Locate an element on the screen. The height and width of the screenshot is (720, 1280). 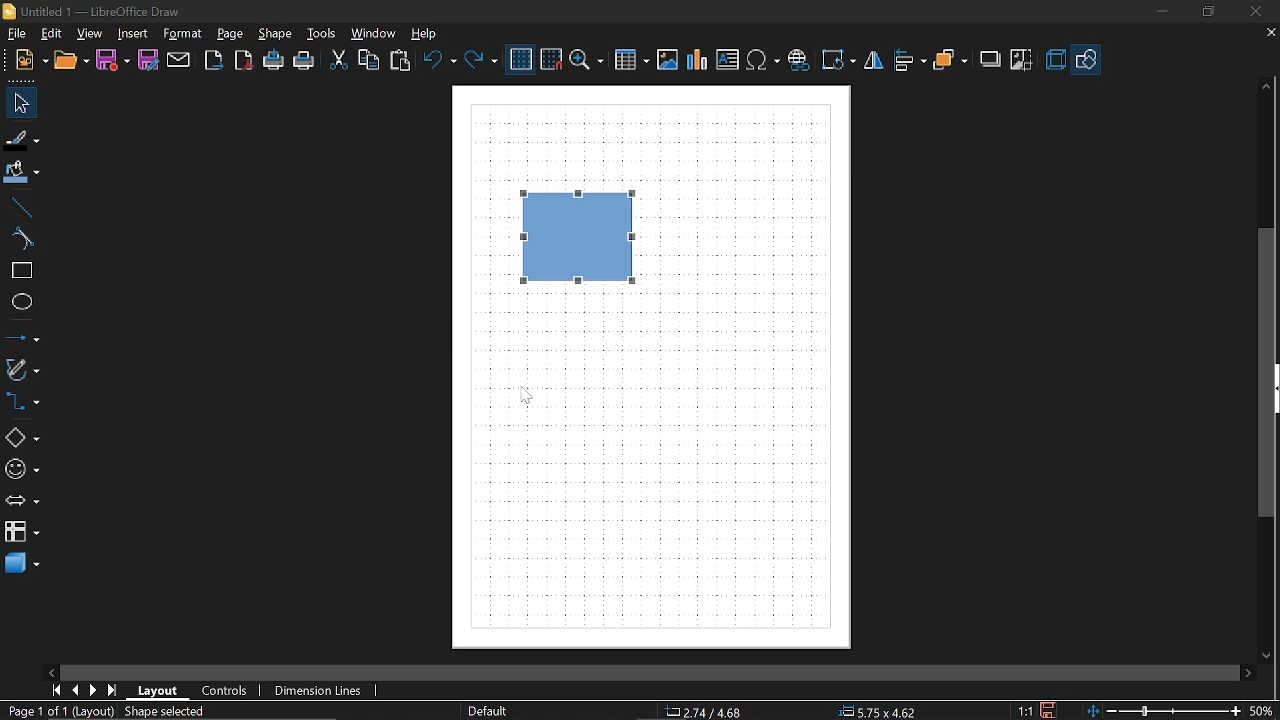
insert table is located at coordinates (631, 61).